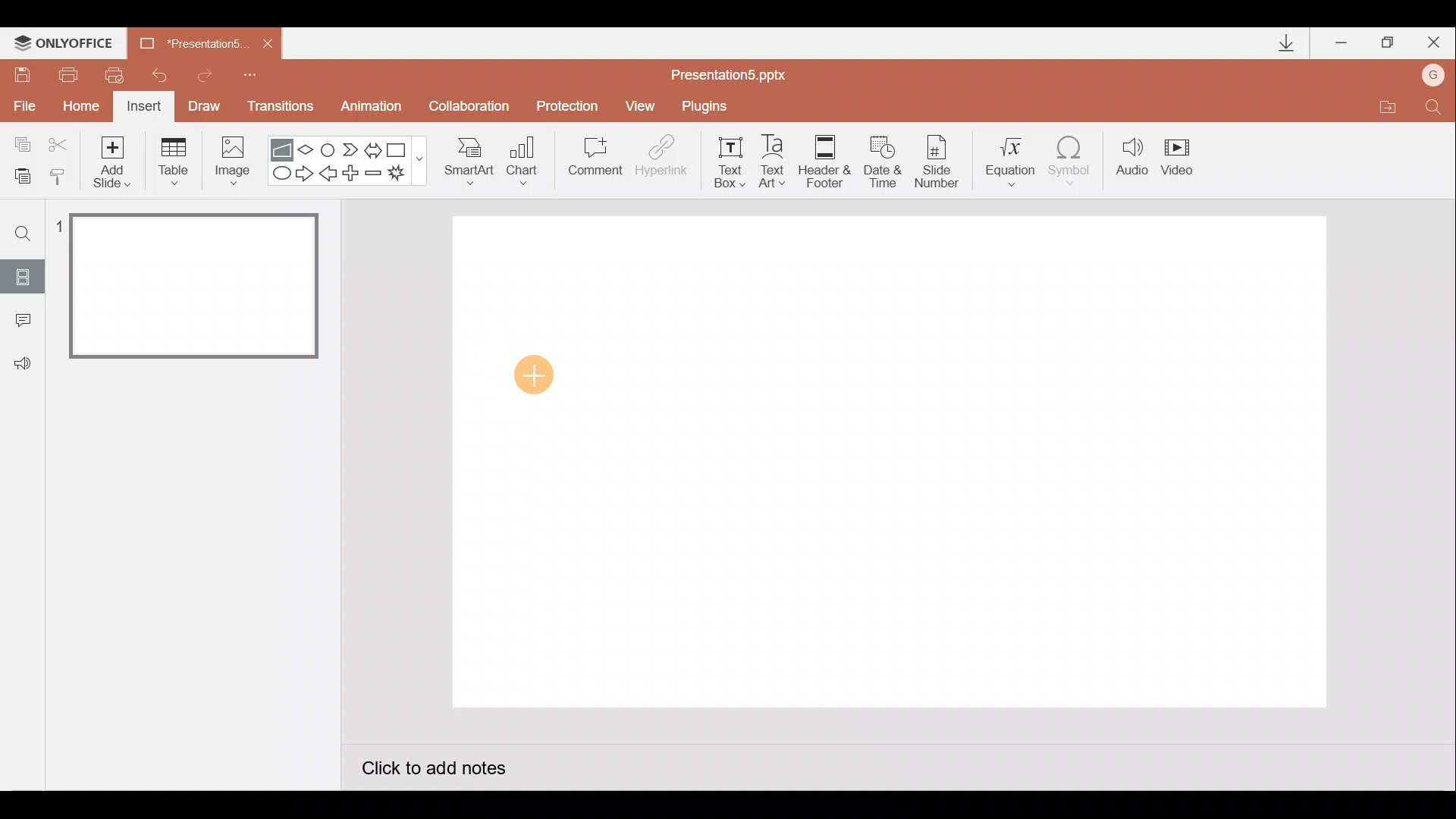  I want to click on Save, so click(21, 72).